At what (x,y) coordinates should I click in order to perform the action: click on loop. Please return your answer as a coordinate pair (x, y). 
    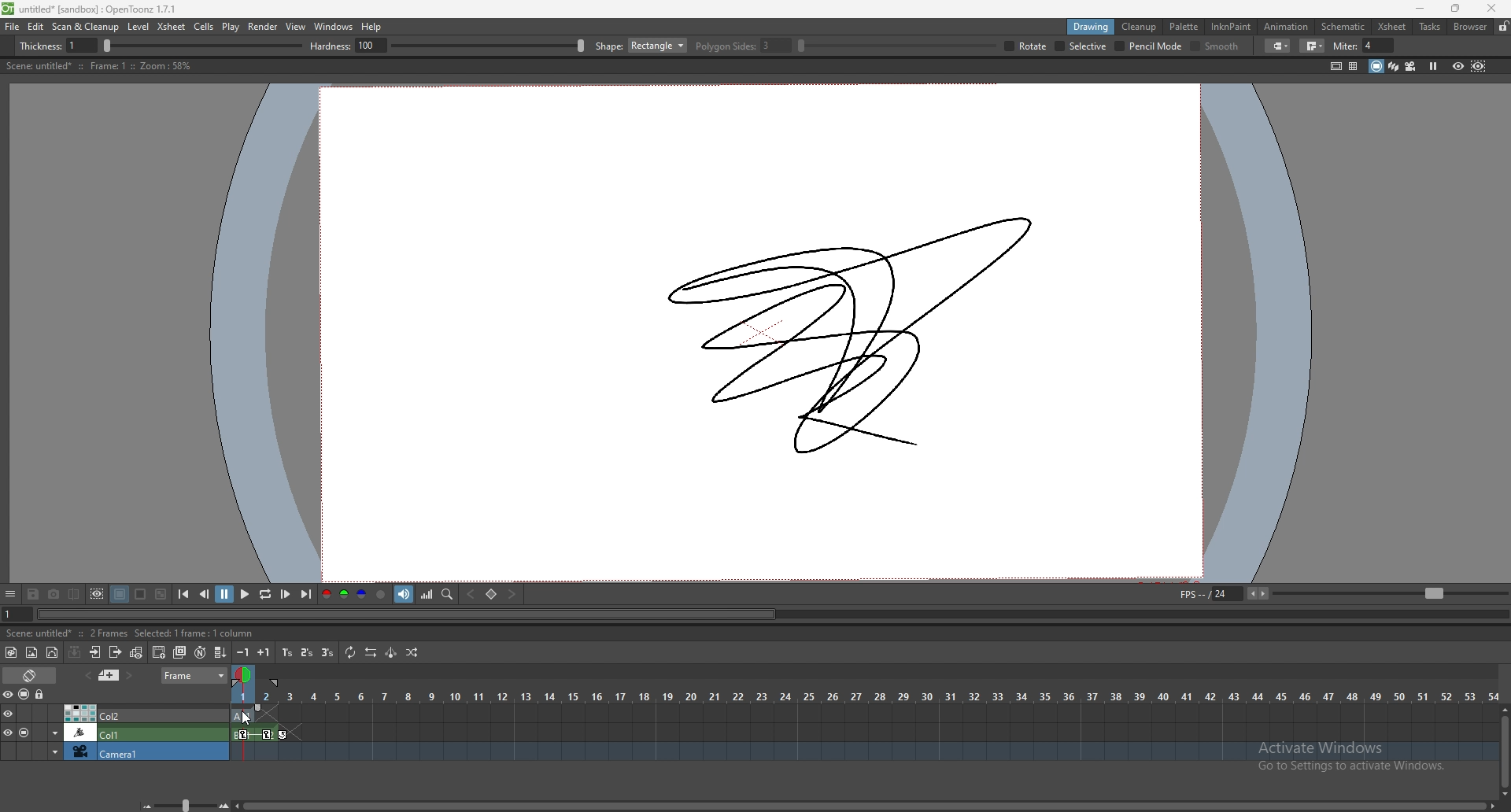
    Looking at the image, I should click on (264, 595).